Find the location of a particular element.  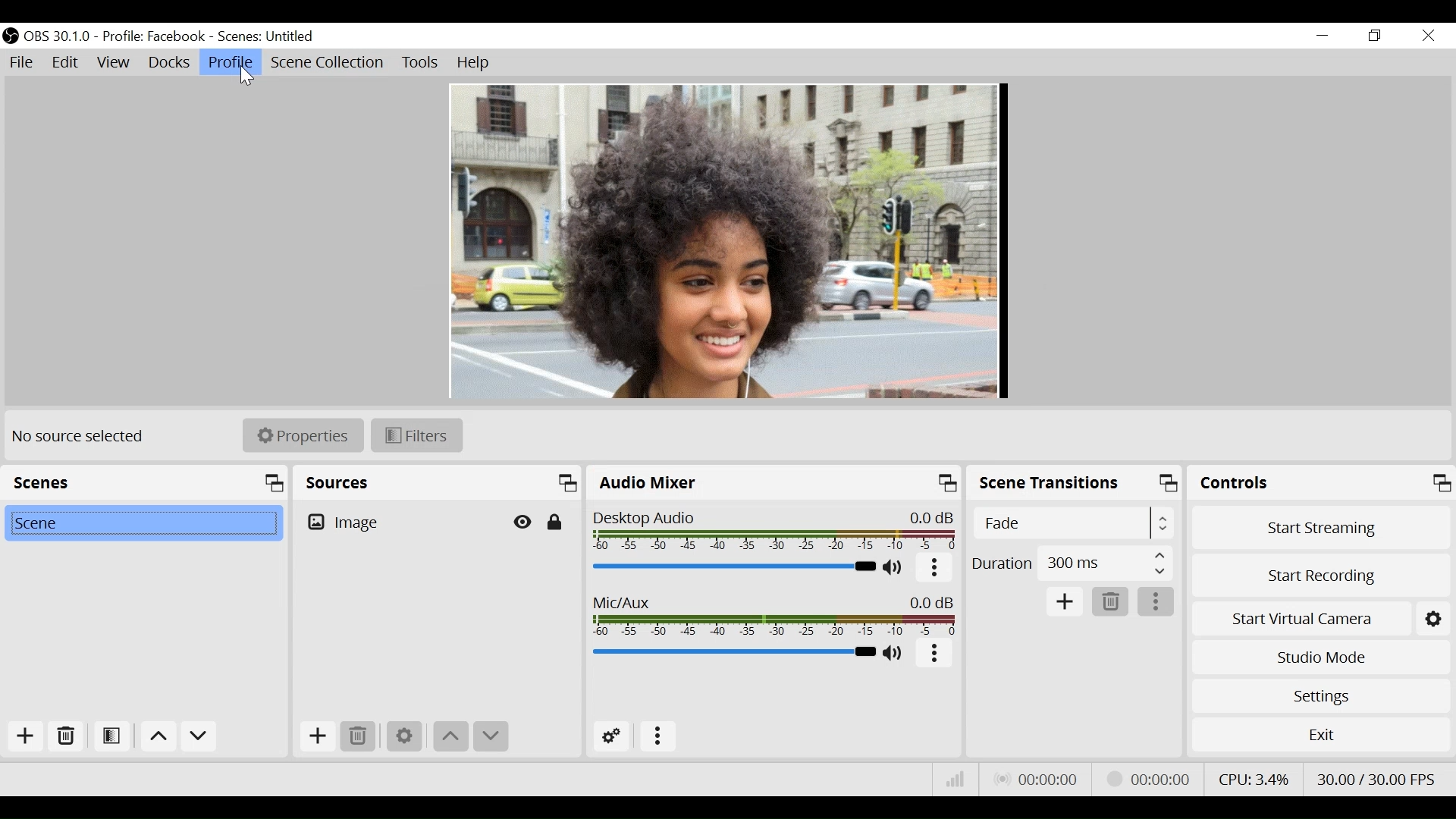

Close is located at coordinates (1427, 35).